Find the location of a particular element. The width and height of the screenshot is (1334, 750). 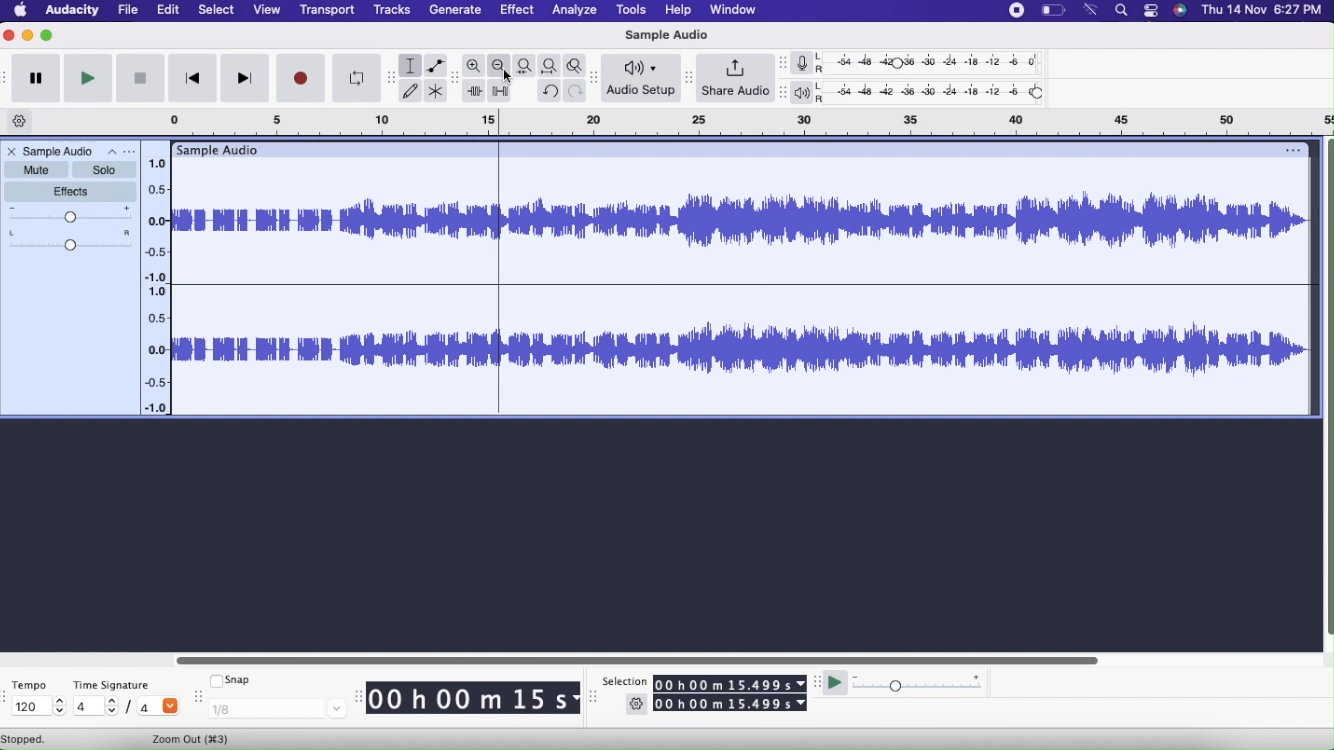

Tempo is located at coordinates (31, 686).